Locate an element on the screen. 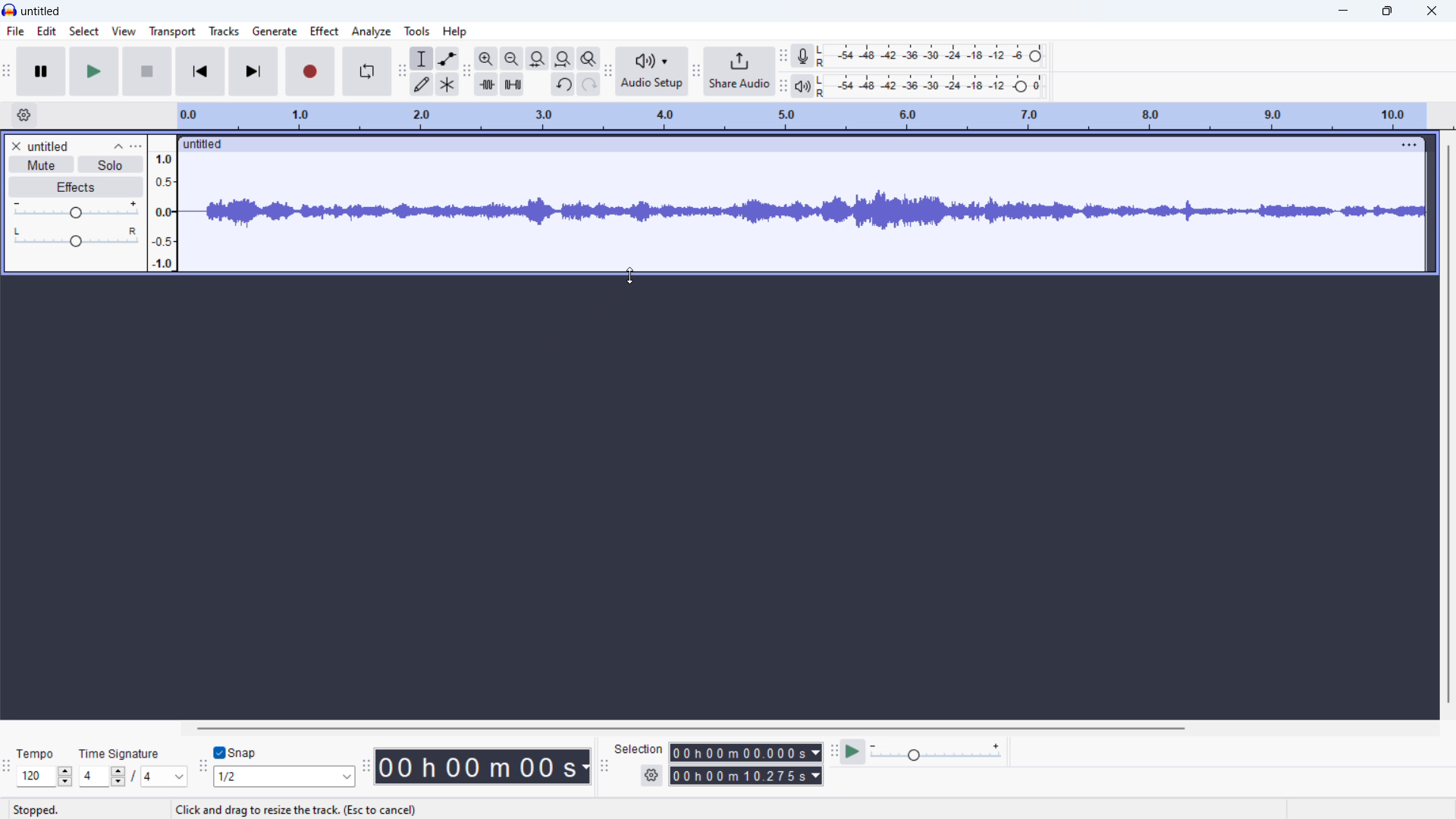  set time signature is located at coordinates (132, 777).